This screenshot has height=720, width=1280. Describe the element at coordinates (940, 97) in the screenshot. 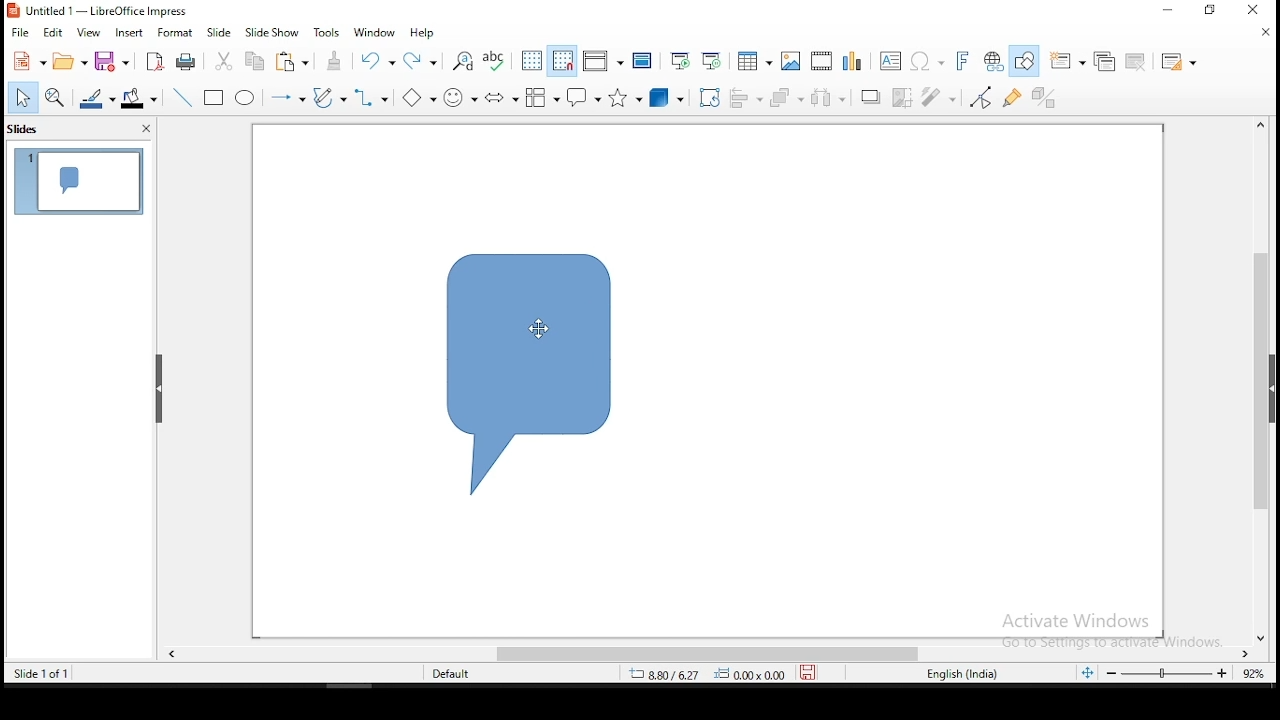

I see `filter` at that location.